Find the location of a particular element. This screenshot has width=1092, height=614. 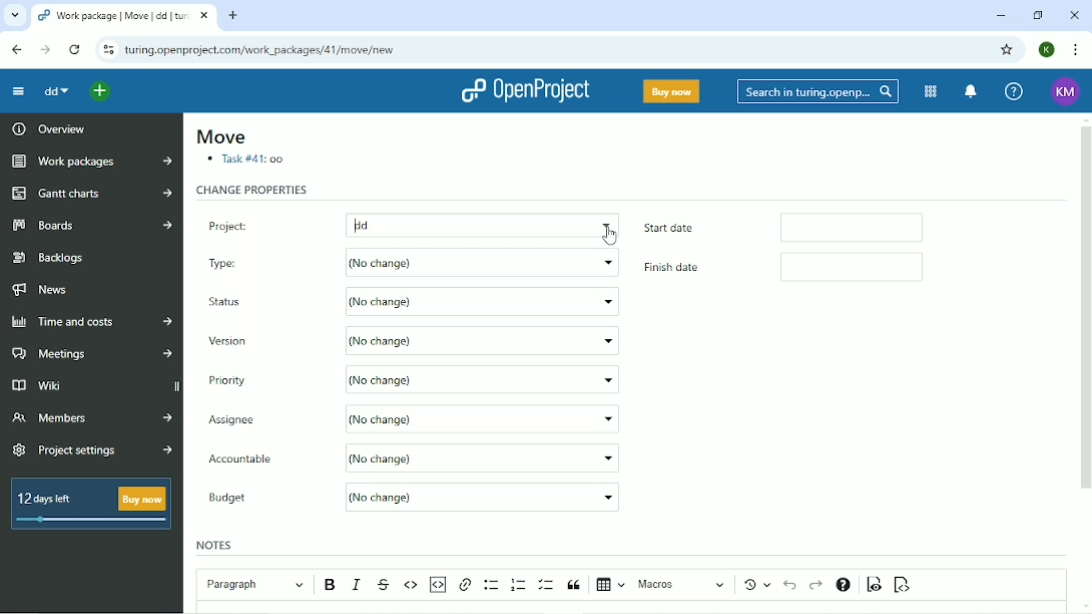

Code is located at coordinates (411, 584).